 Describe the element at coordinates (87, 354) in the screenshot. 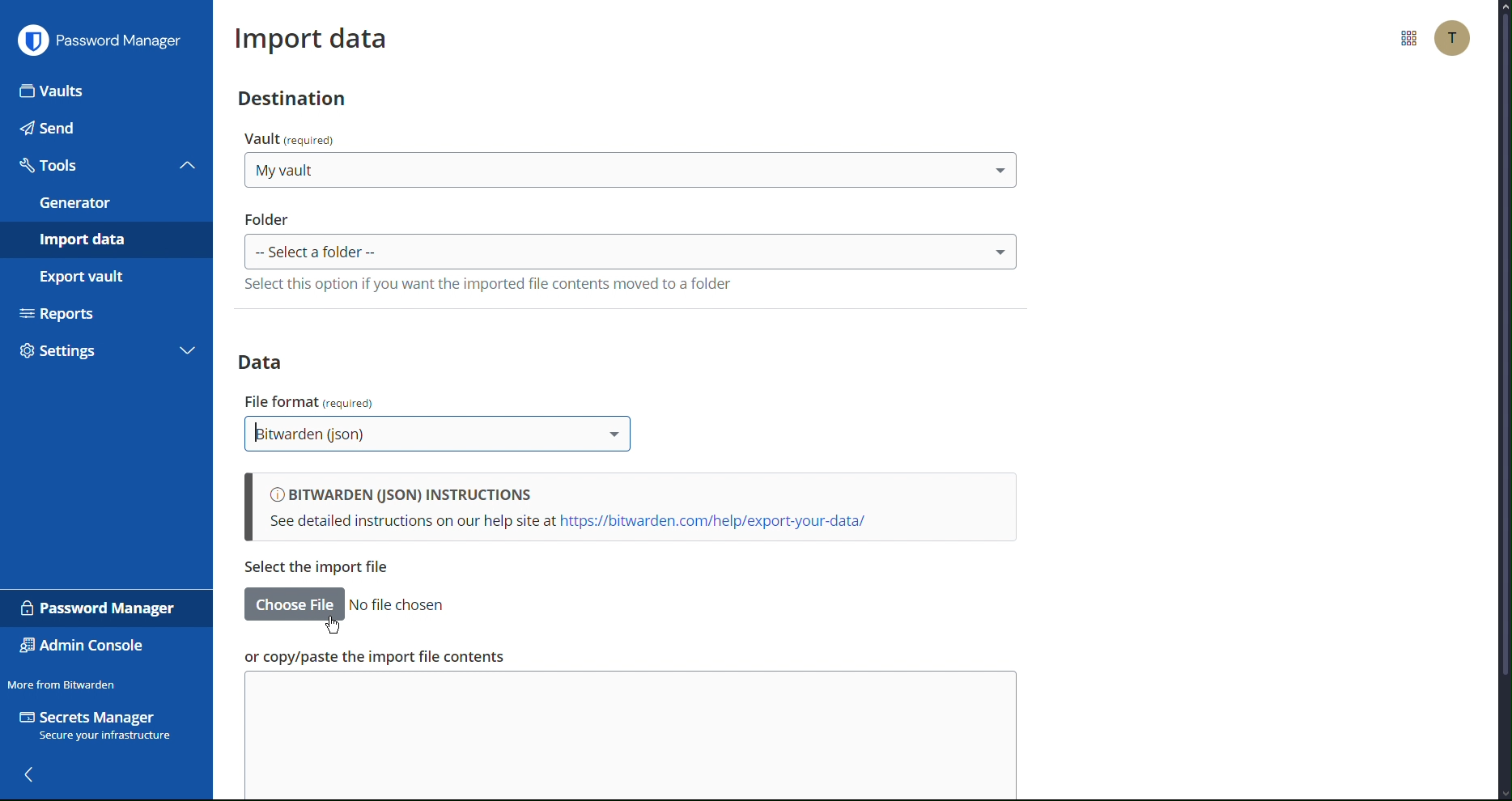

I see `Settings` at that location.